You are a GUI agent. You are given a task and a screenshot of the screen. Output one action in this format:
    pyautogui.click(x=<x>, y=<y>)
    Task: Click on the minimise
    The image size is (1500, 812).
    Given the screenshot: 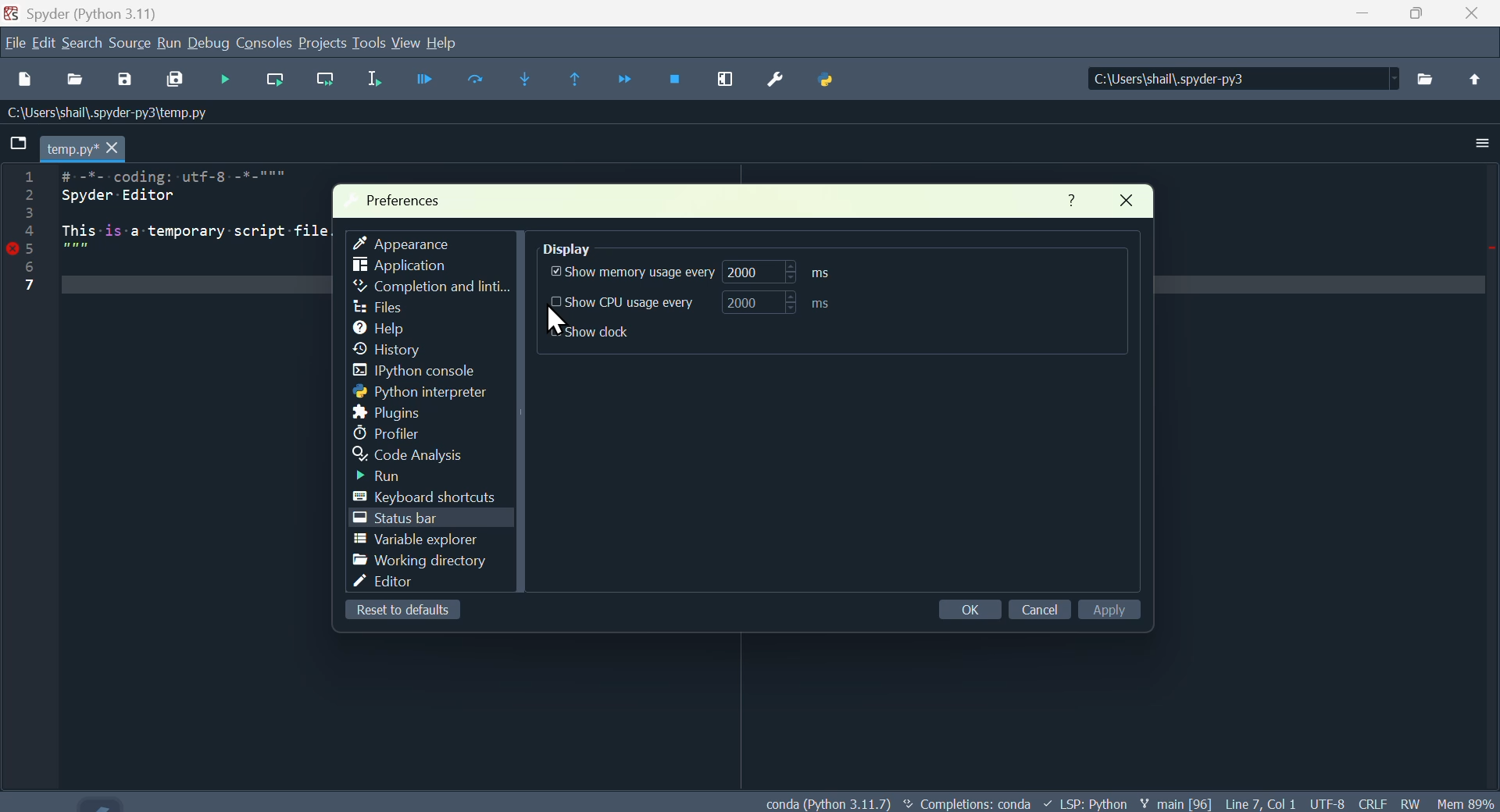 What is the action you would take?
    pyautogui.click(x=1371, y=18)
    